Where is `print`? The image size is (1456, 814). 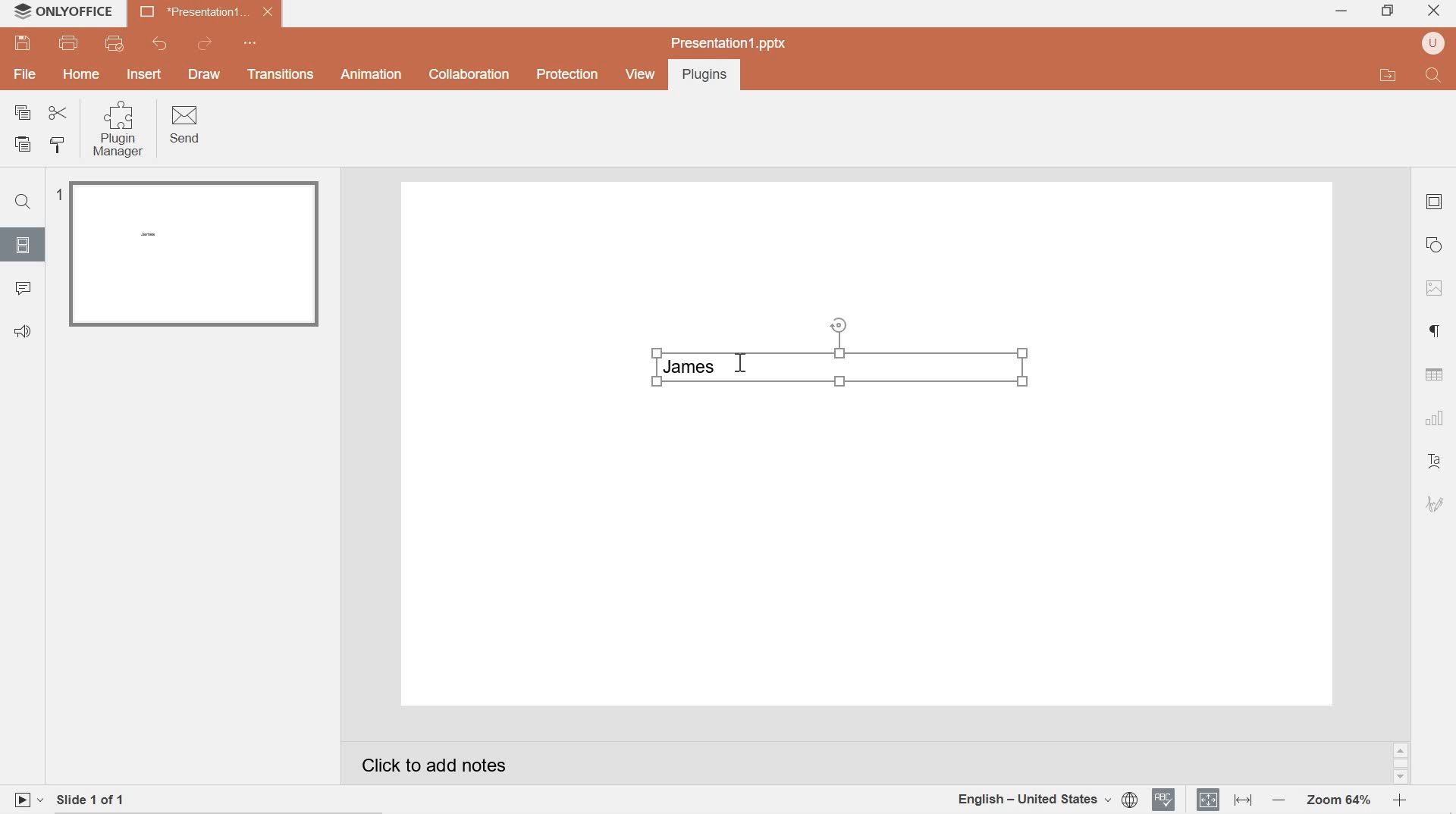
print is located at coordinates (71, 44).